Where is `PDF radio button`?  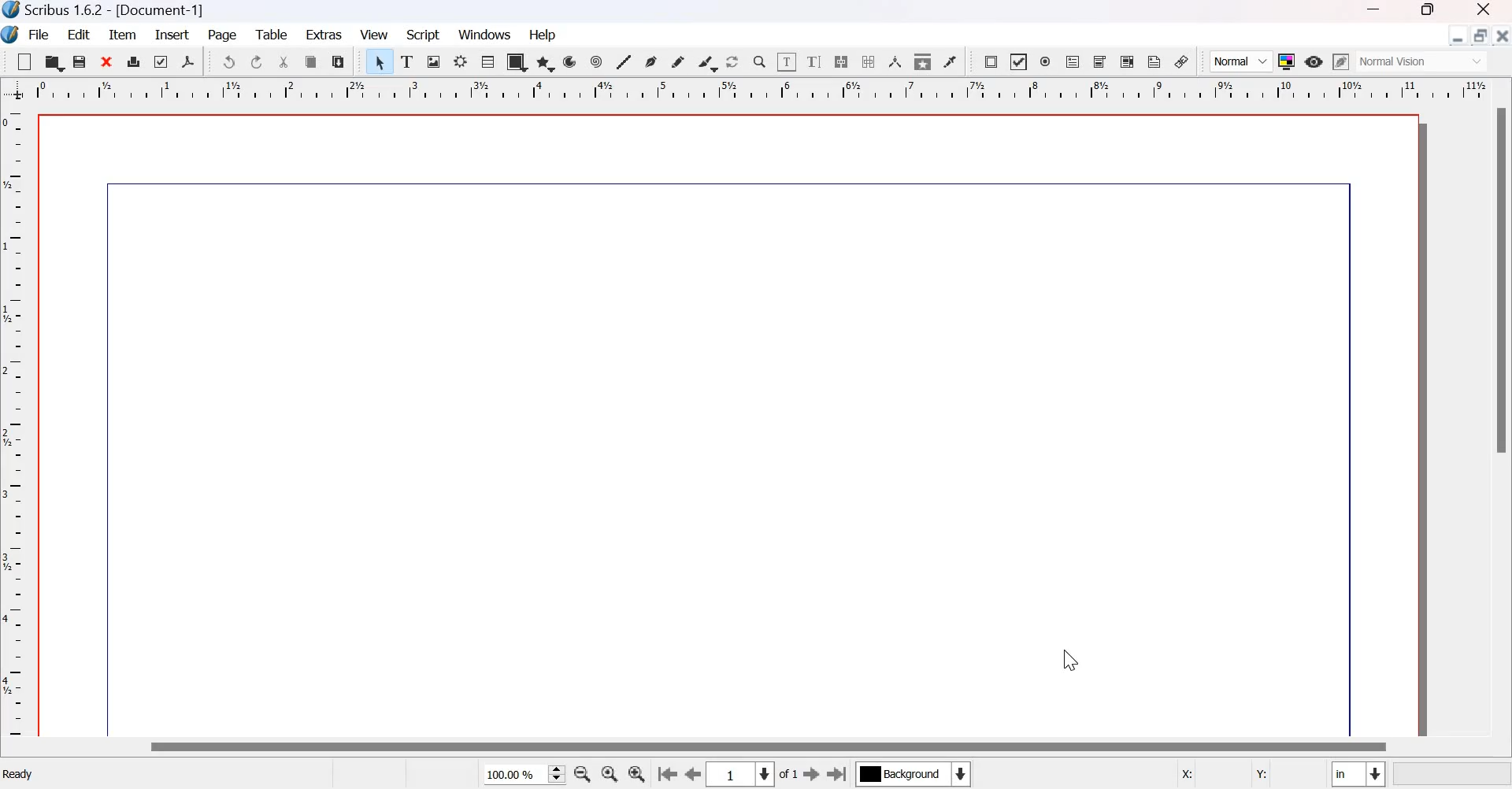 PDF radio button is located at coordinates (1045, 61).